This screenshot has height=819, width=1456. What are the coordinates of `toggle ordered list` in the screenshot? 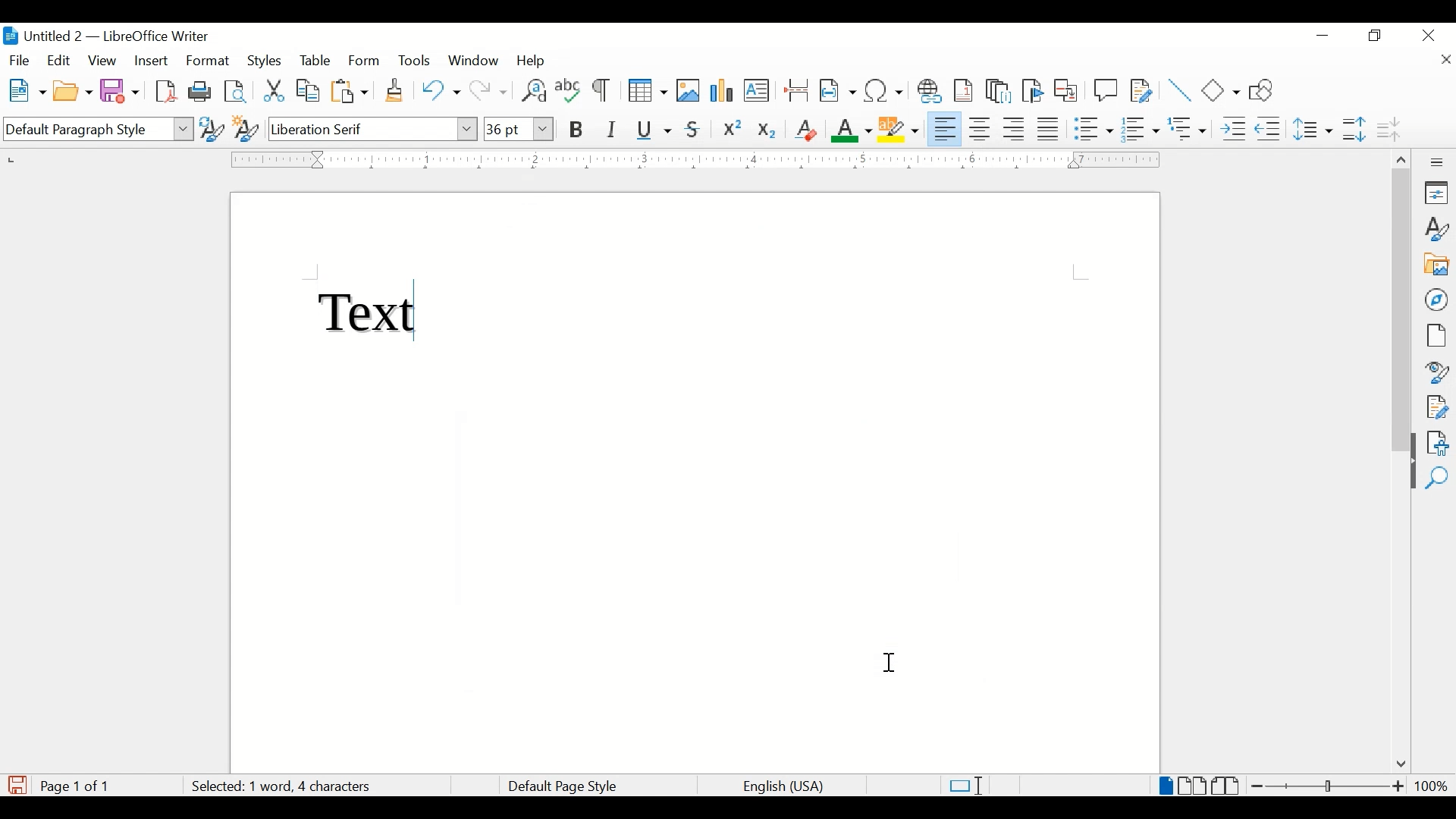 It's located at (1140, 128).